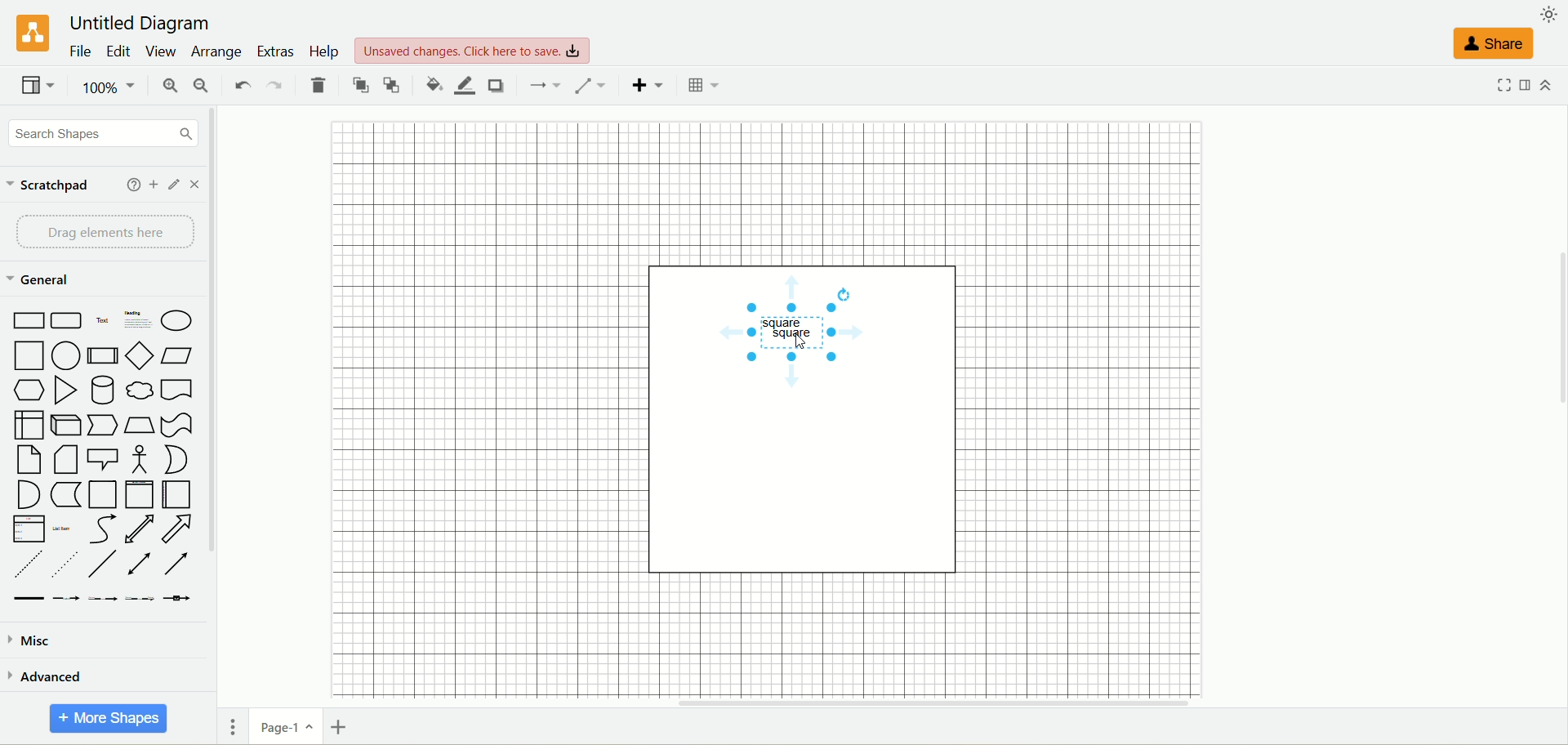  I want to click on format, so click(1523, 86).